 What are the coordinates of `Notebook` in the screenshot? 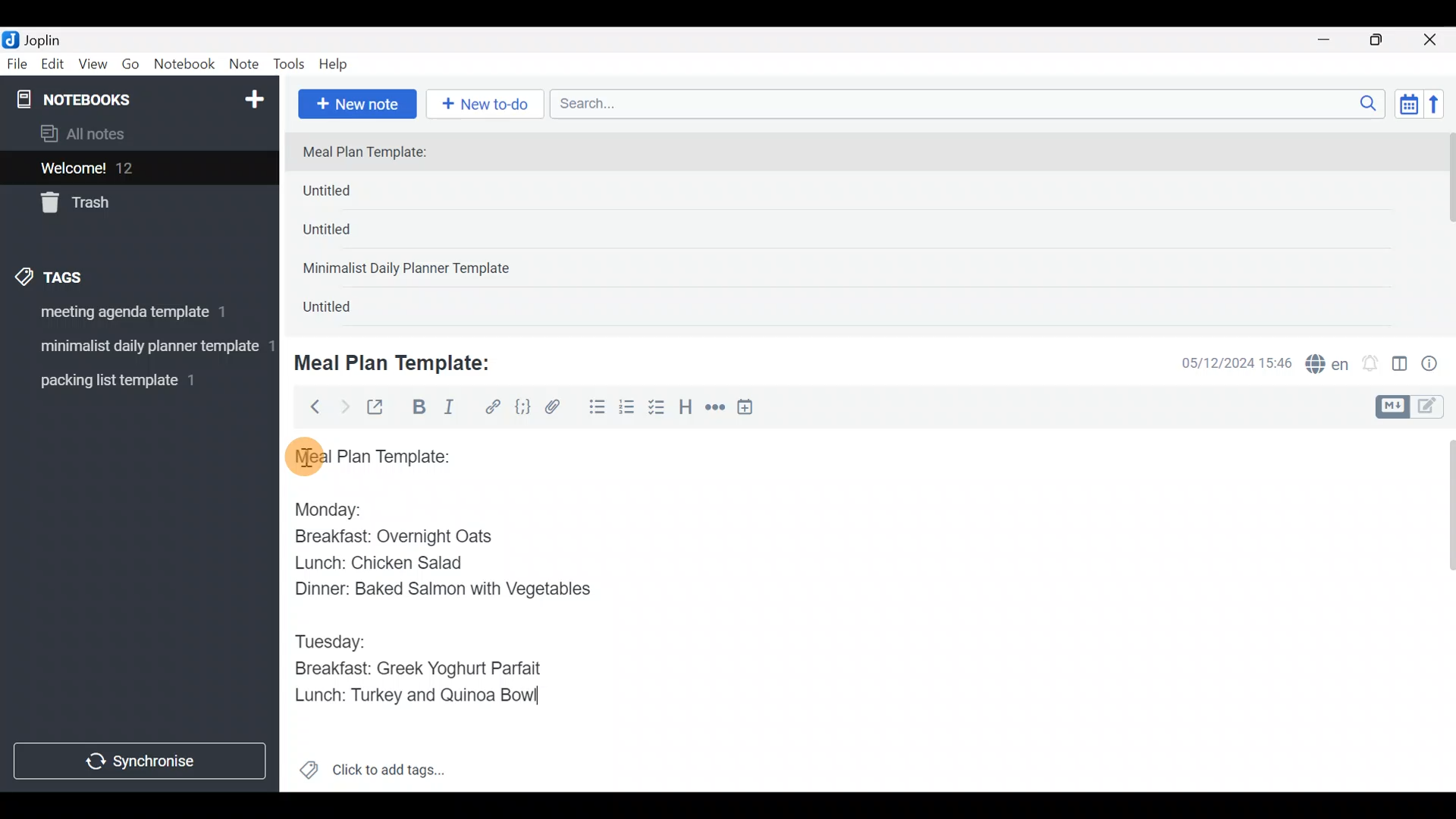 It's located at (185, 64).